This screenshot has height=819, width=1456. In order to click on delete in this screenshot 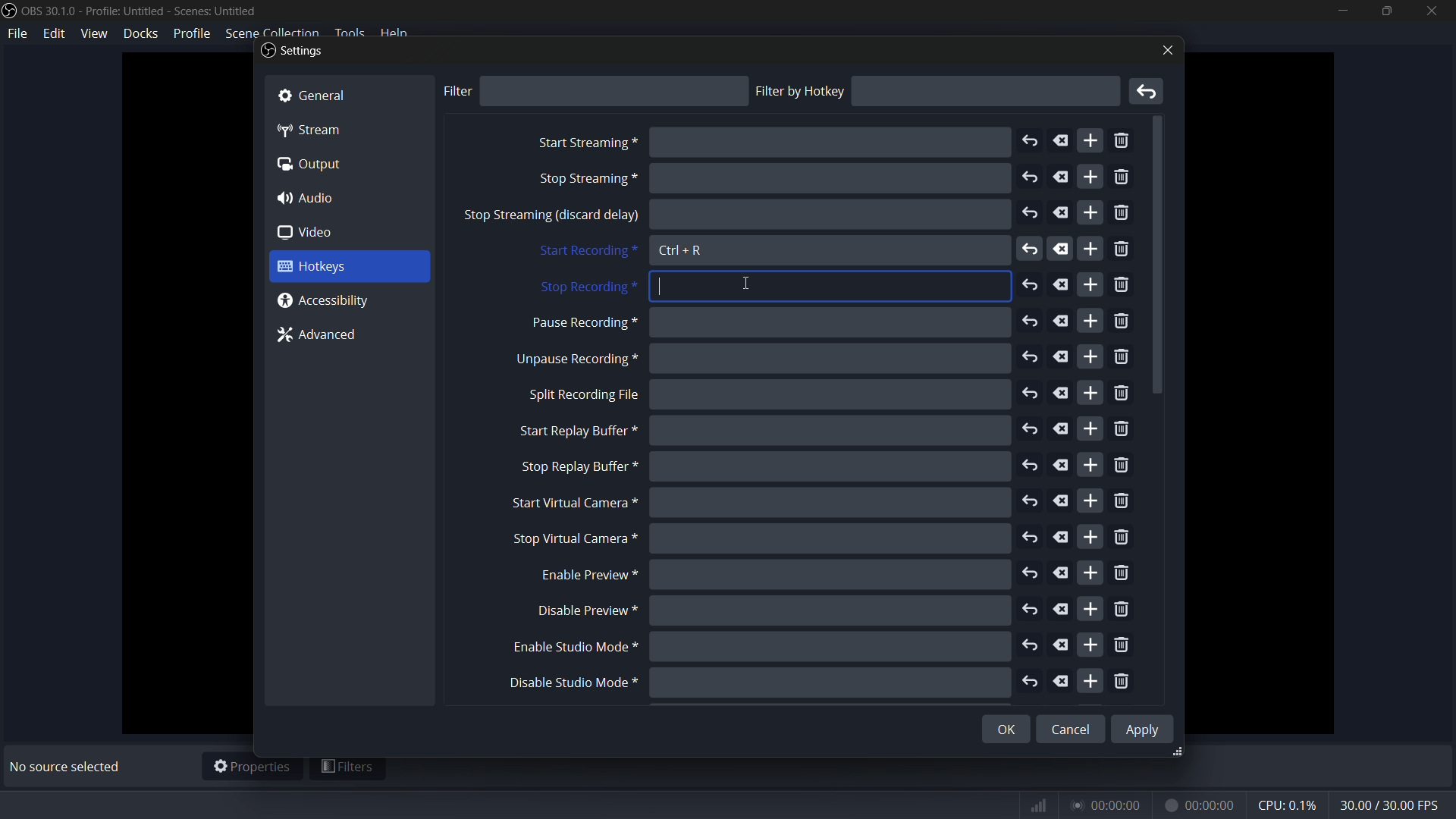, I will do `click(1062, 321)`.